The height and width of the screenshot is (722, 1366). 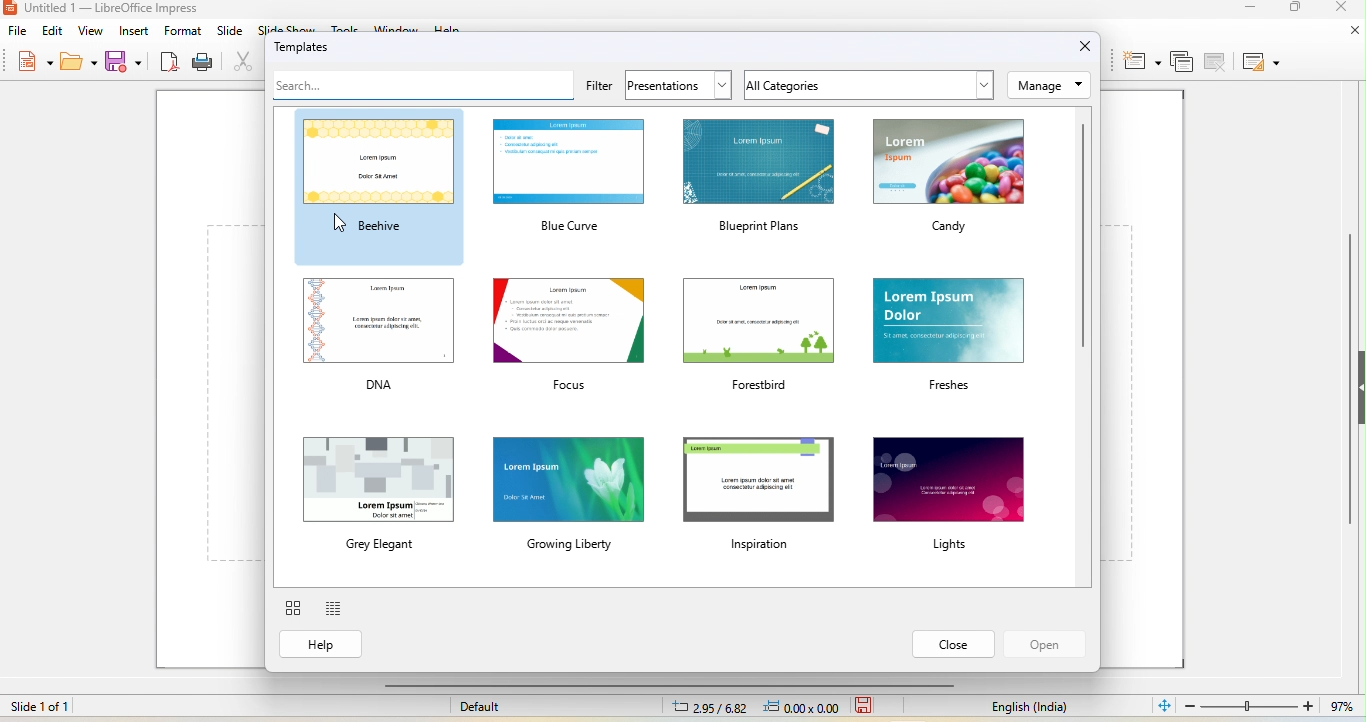 I want to click on 97% (zoom), so click(x=1267, y=707).